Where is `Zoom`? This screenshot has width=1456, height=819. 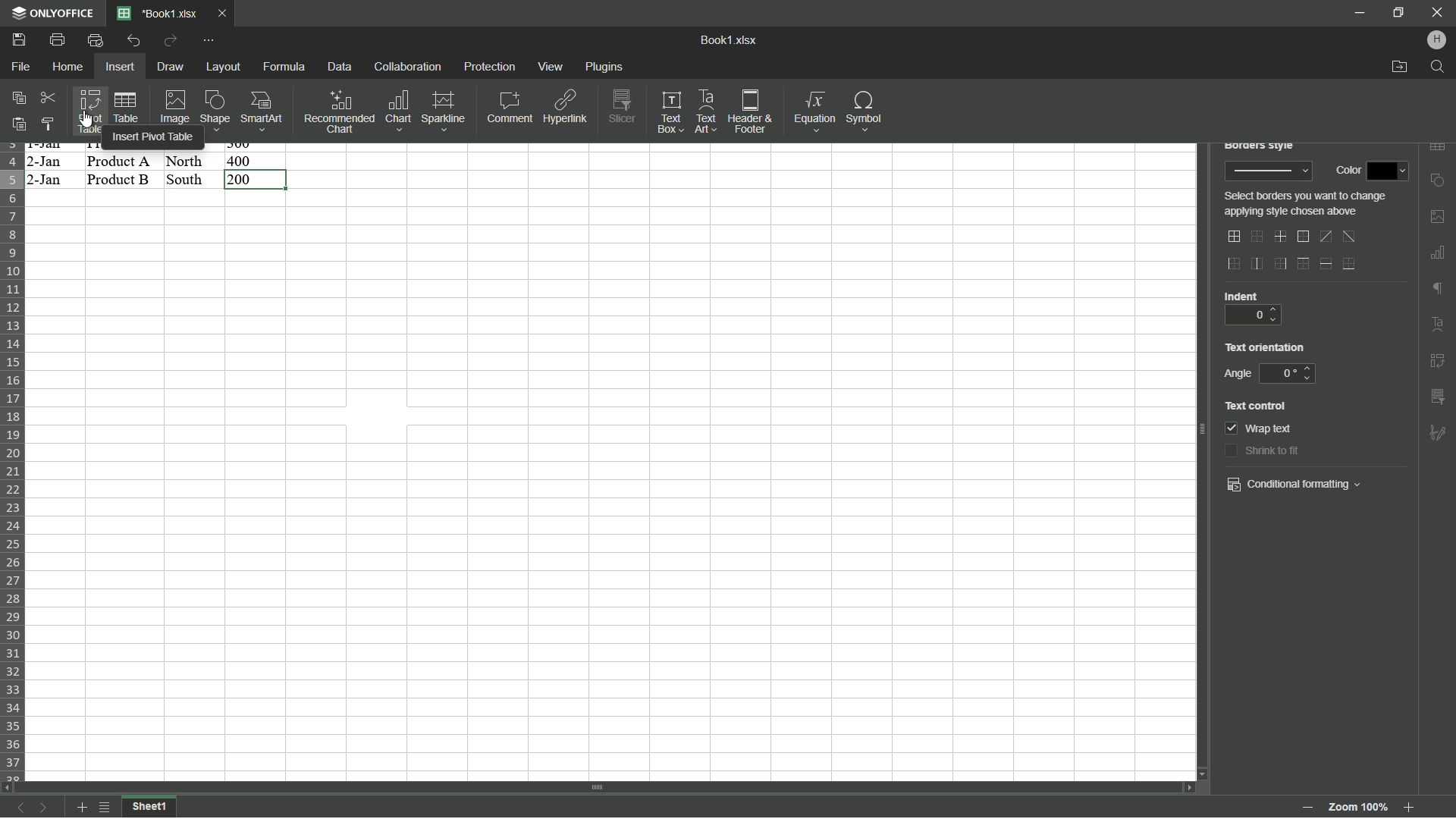 Zoom is located at coordinates (1410, 810).